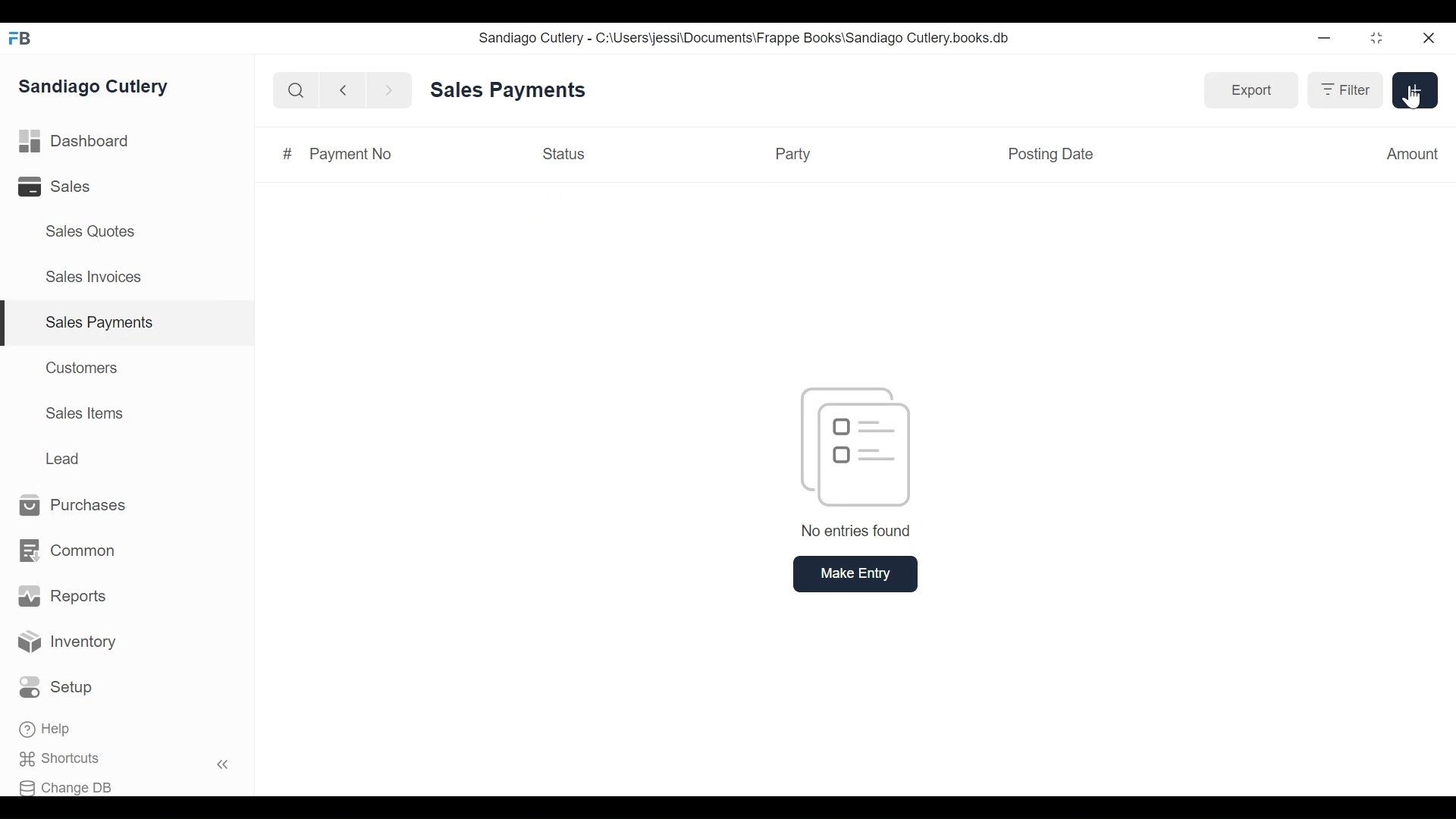 The width and height of the screenshot is (1456, 819). I want to click on Navigate Back, so click(340, 90).